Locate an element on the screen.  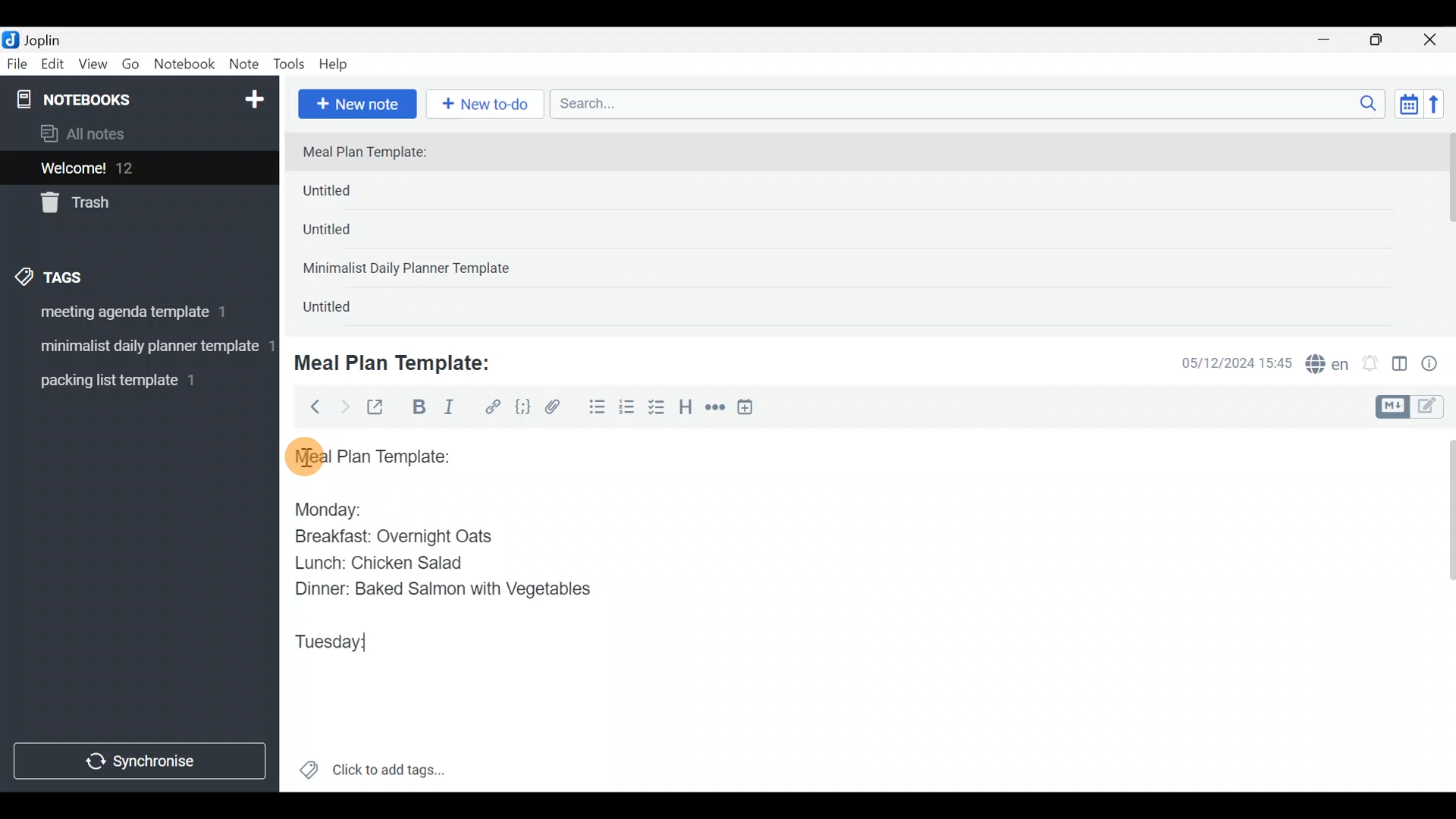
Toggle editors is located at coordinates (1414, 405).